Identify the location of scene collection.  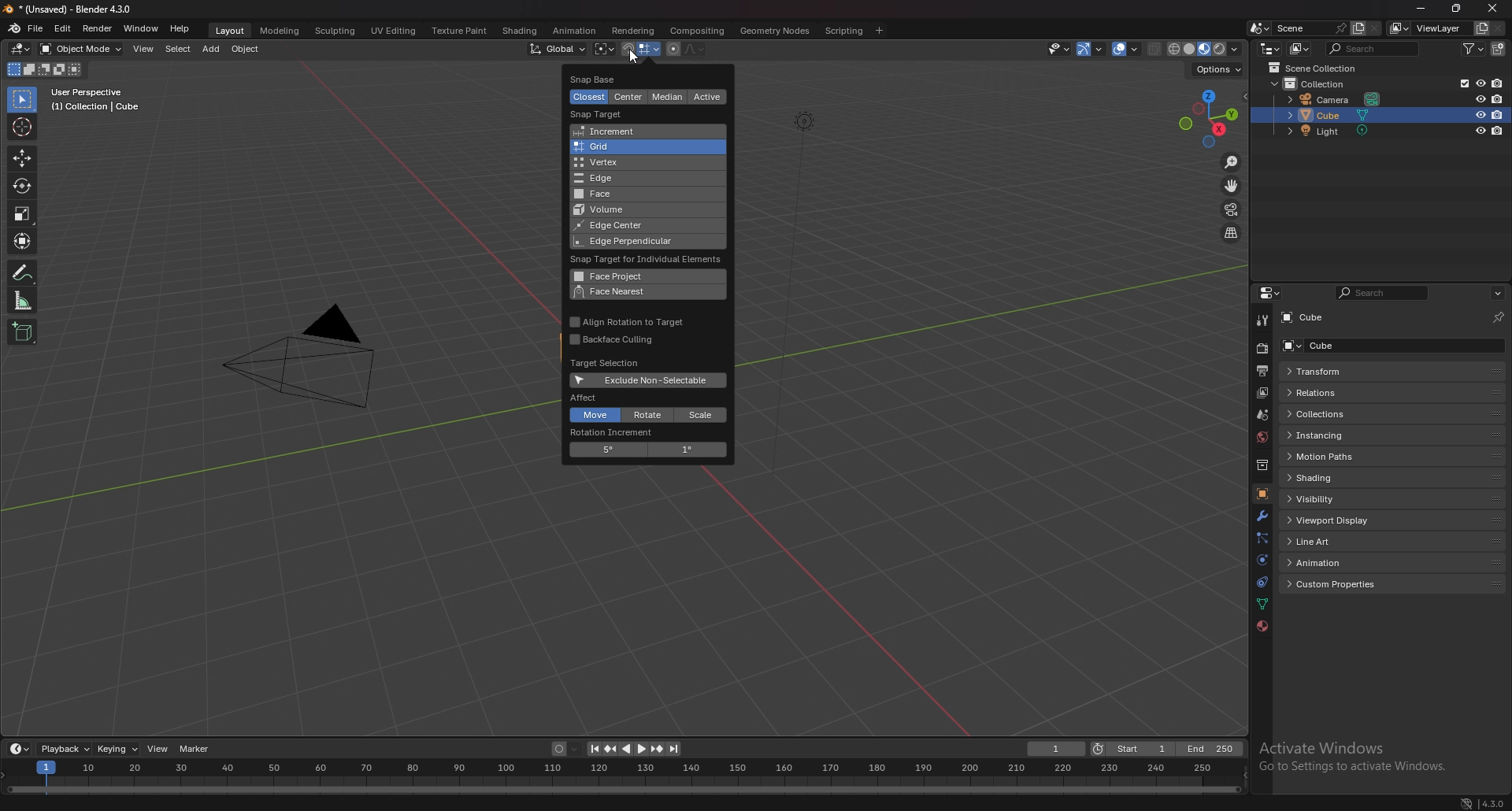
(1320, 68).